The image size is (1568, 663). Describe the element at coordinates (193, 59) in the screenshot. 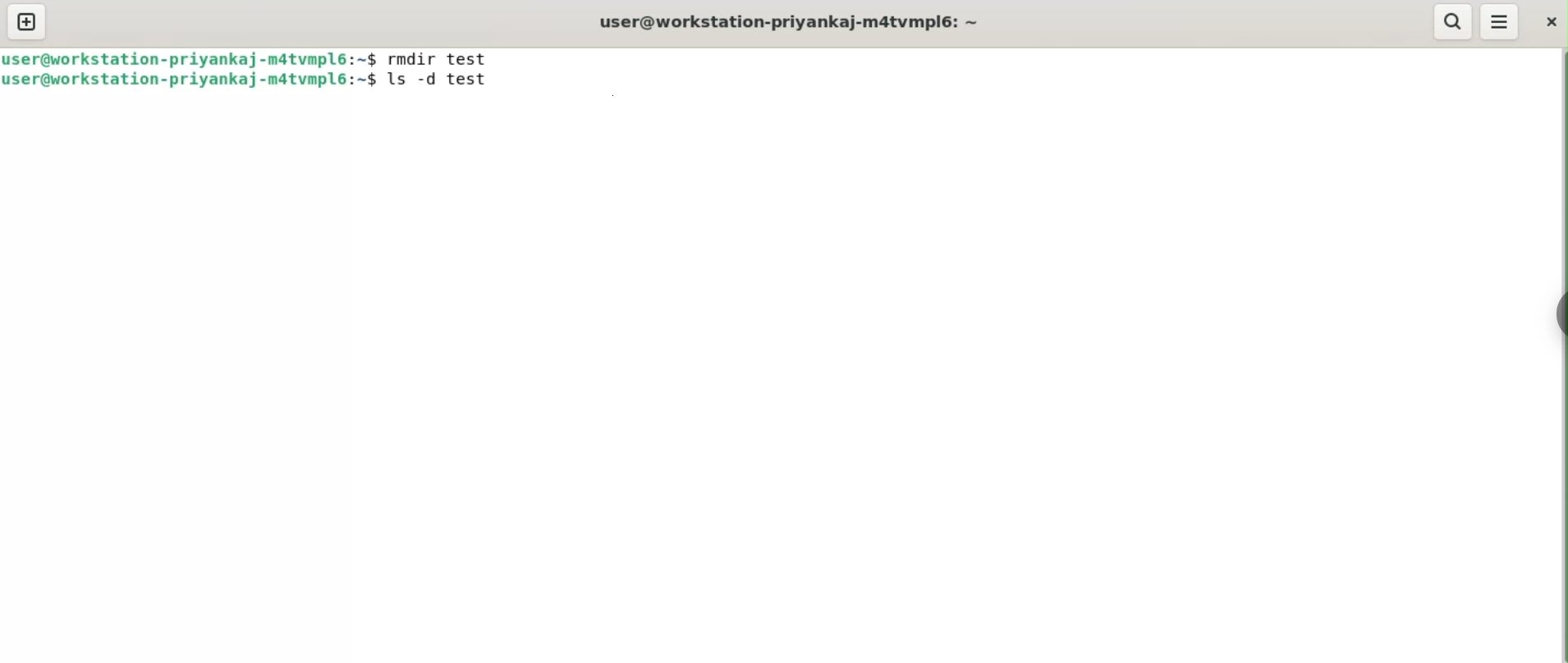

I see `user@workstation-priyankaj-m4tvmpl6: ~$` at that location.